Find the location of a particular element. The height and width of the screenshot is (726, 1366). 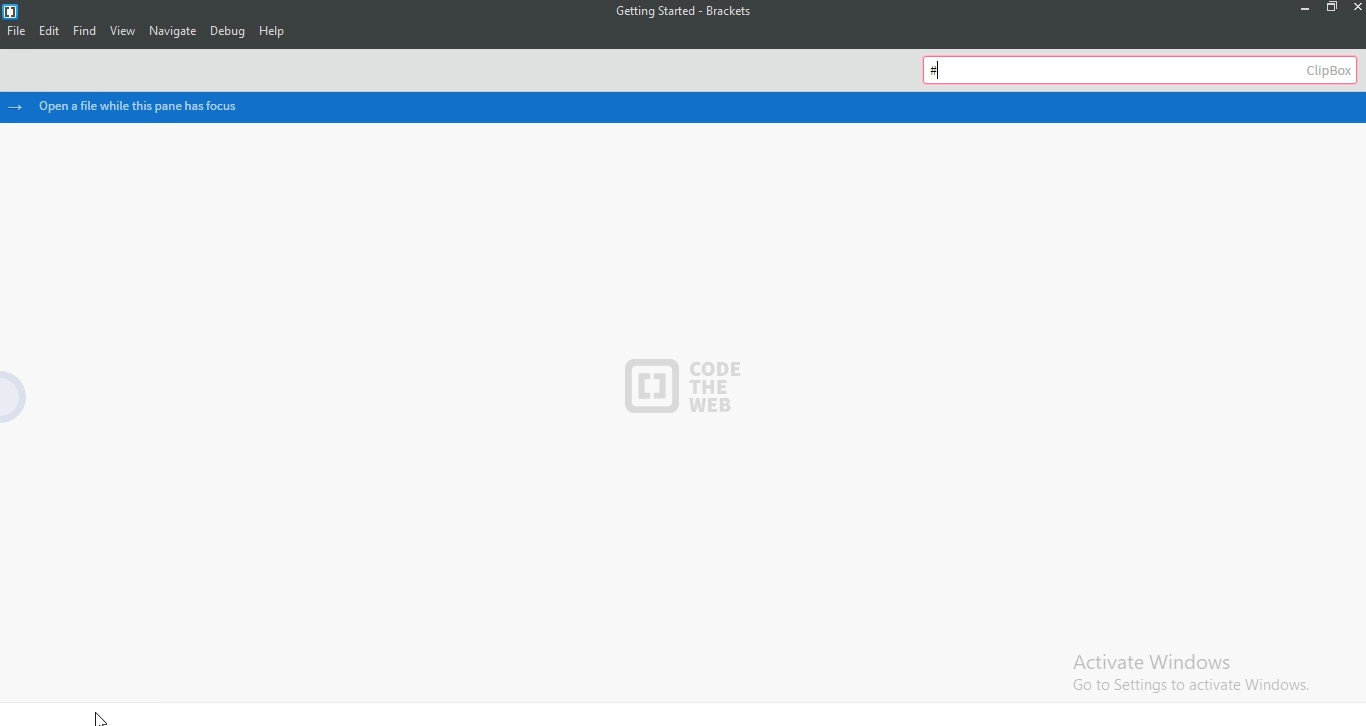

Code The Web is located at coordinates (679, 387).